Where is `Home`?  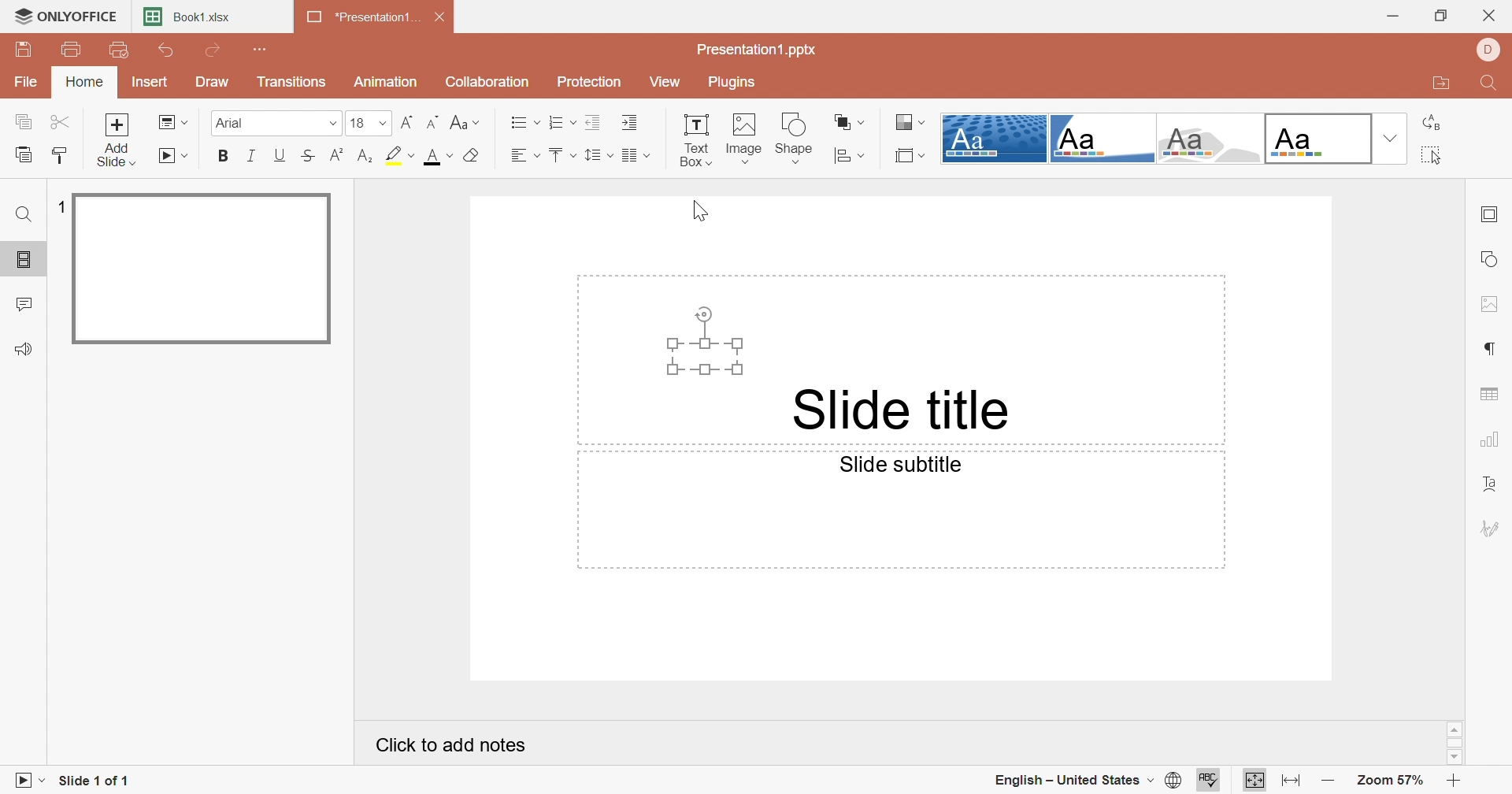
Home is located at coordinates (86, 82).